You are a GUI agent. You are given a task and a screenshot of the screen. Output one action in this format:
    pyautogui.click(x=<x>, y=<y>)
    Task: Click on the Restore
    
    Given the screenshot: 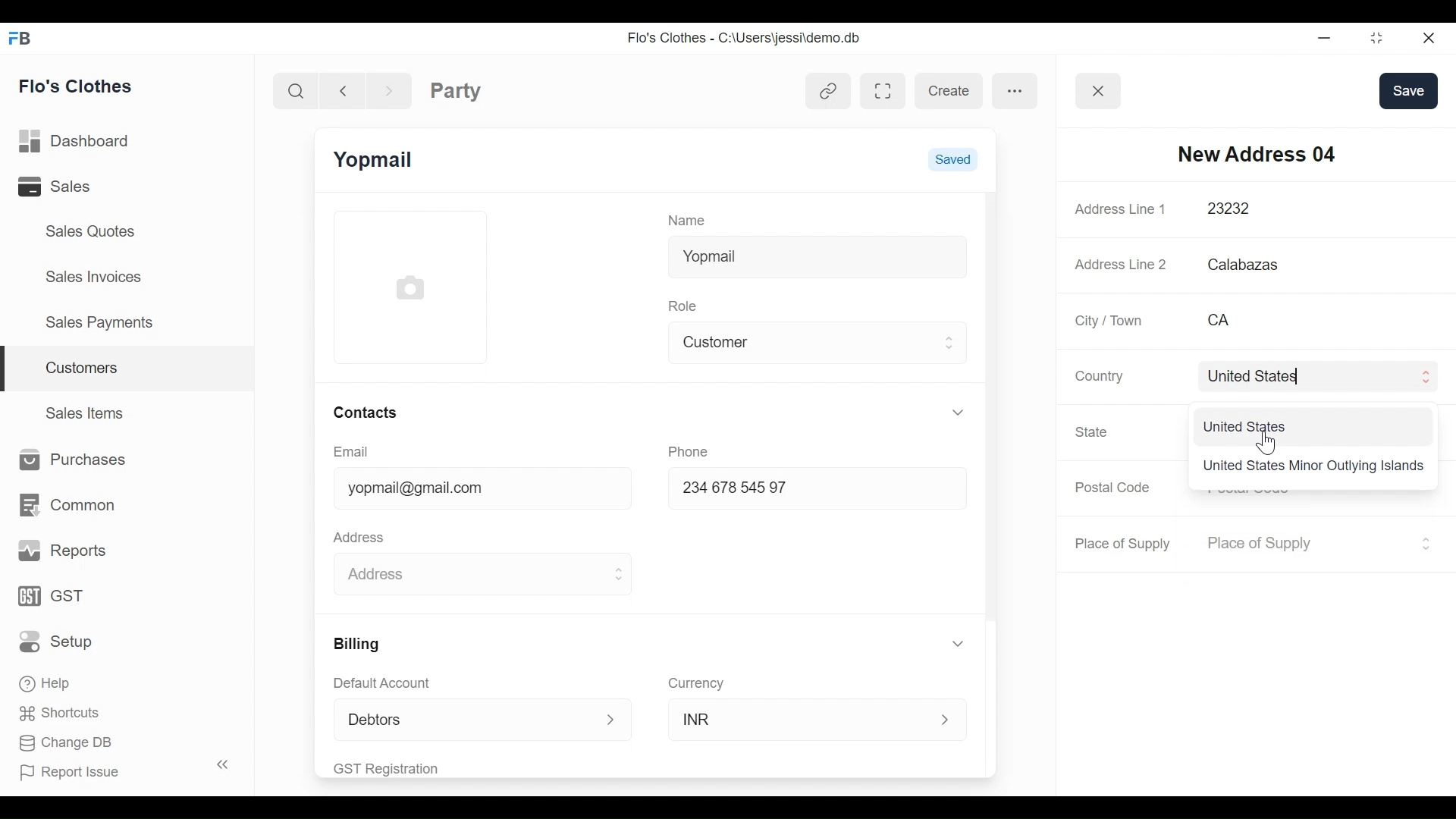 What is the action you would take?
    pyautogui.click(x=1372, y=38)
    